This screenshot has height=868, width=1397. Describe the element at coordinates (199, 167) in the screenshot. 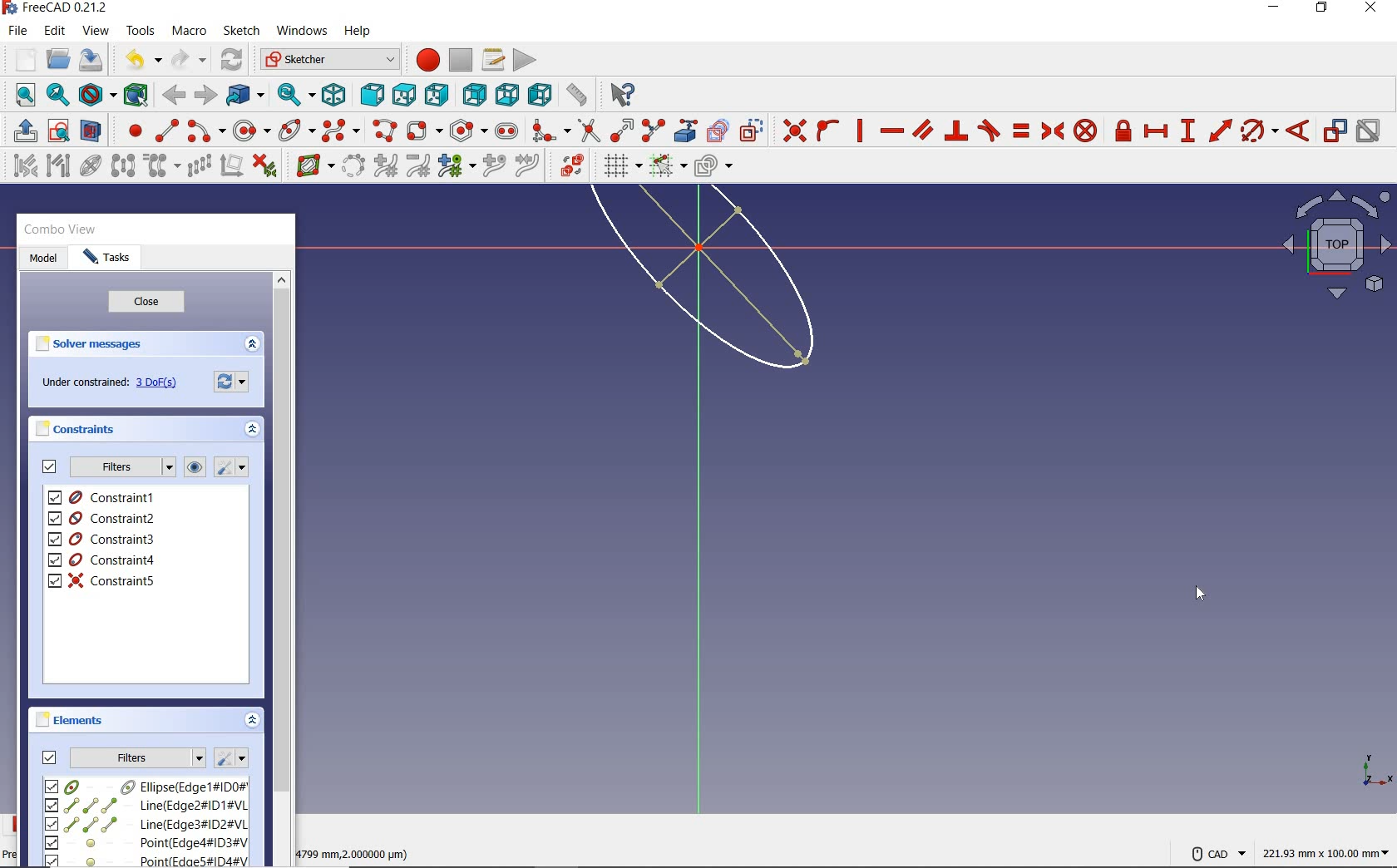

I see `rectangular array` at that location.